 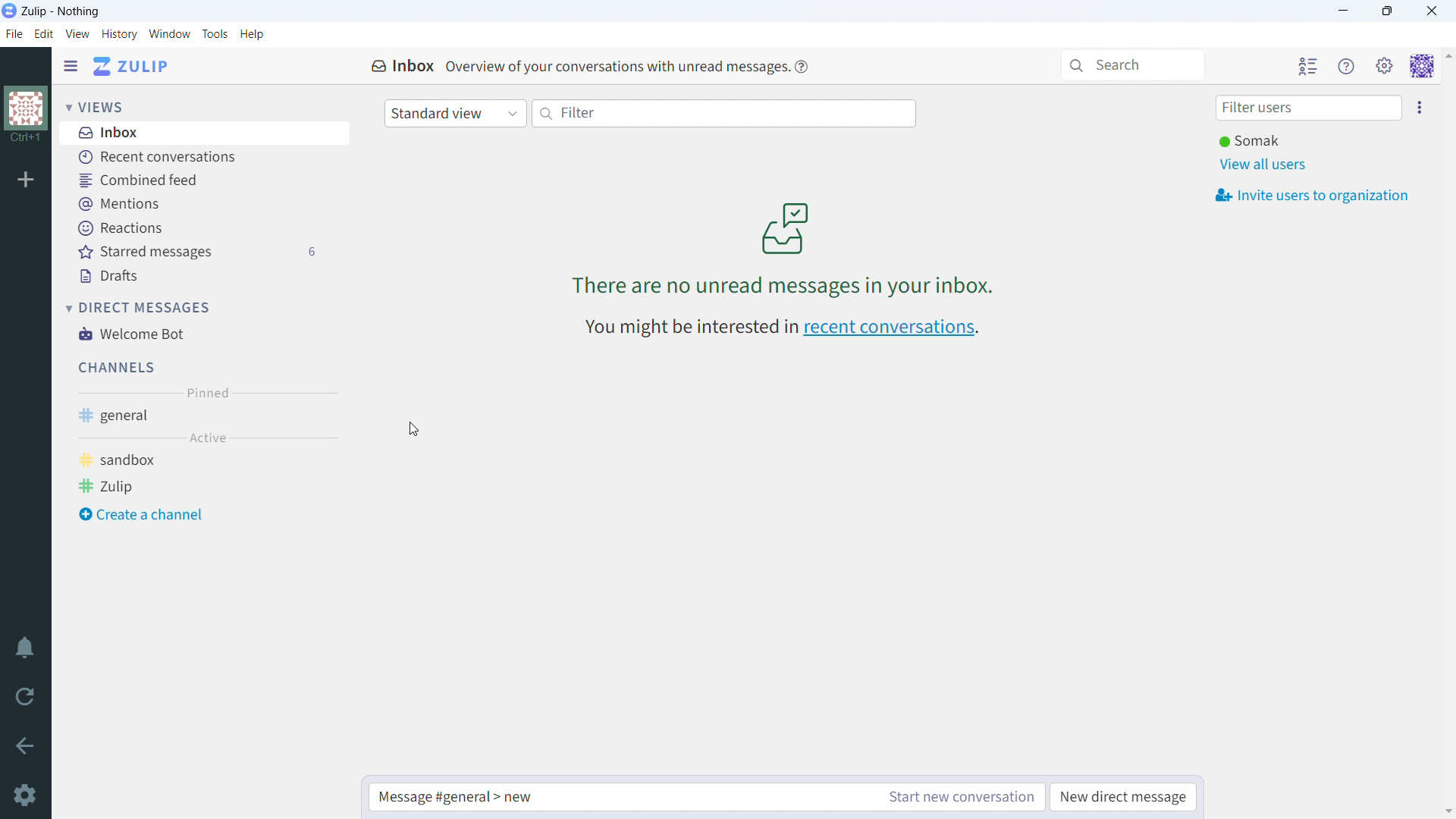 I want to click on hide sidebar menu, so click(x=71, y=67).